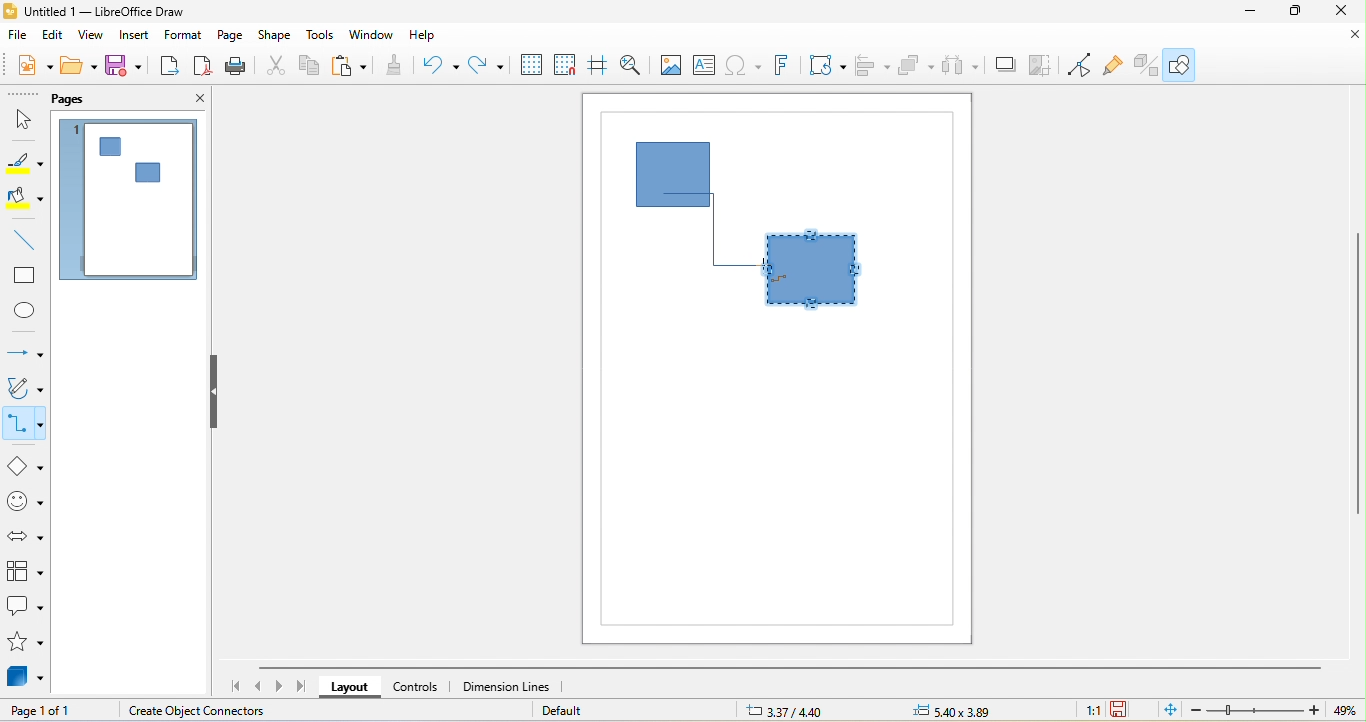 The width and height of the screenshot is (1366, 722). What do you see at coordinates (194, 99) in the screenshot?
I see `close` at bounding box center [194, 99].